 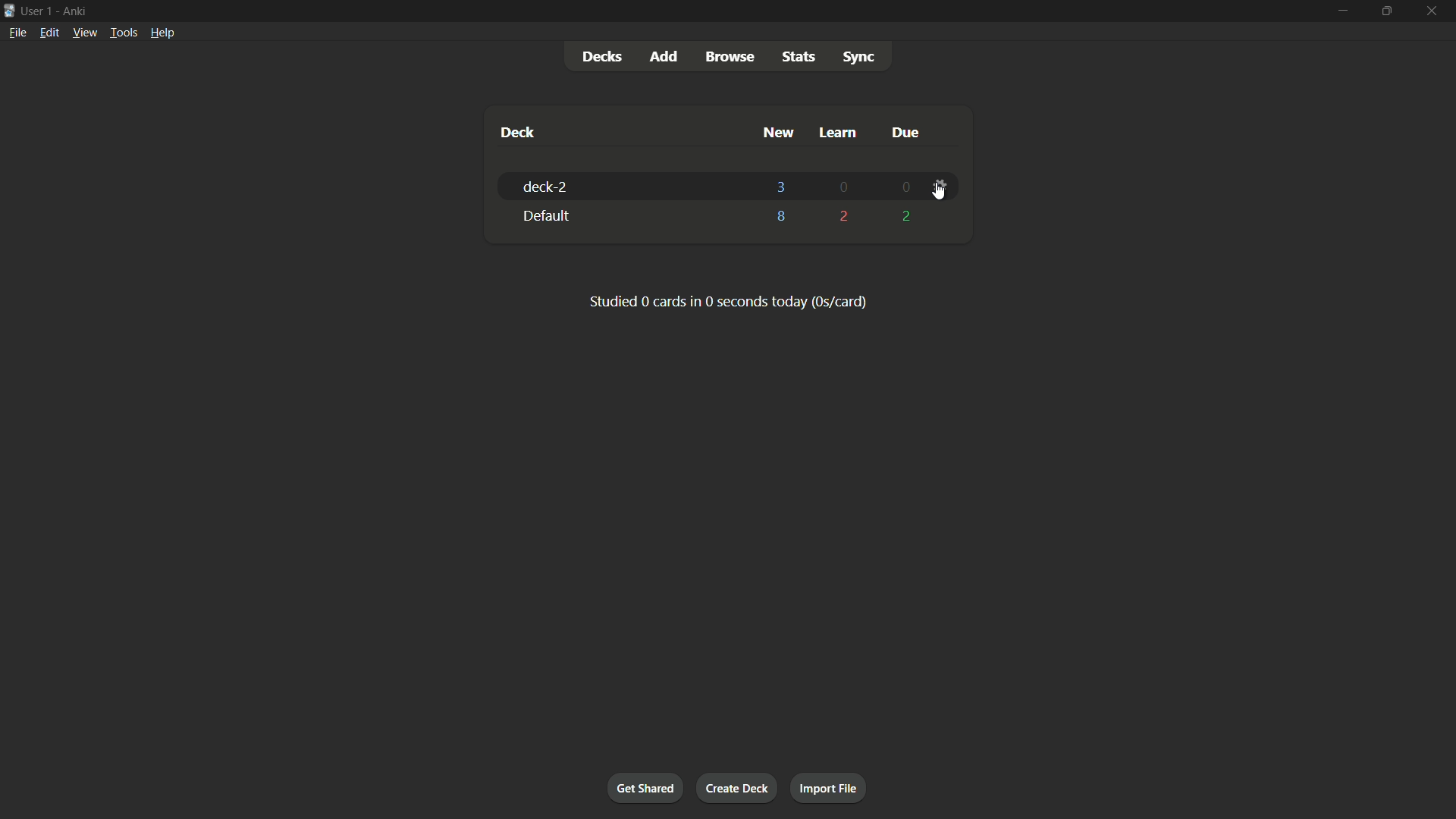 What do you see at coordinates (827, 787) in the screenshot?
I see `import file` at bounding box center [827, 787].